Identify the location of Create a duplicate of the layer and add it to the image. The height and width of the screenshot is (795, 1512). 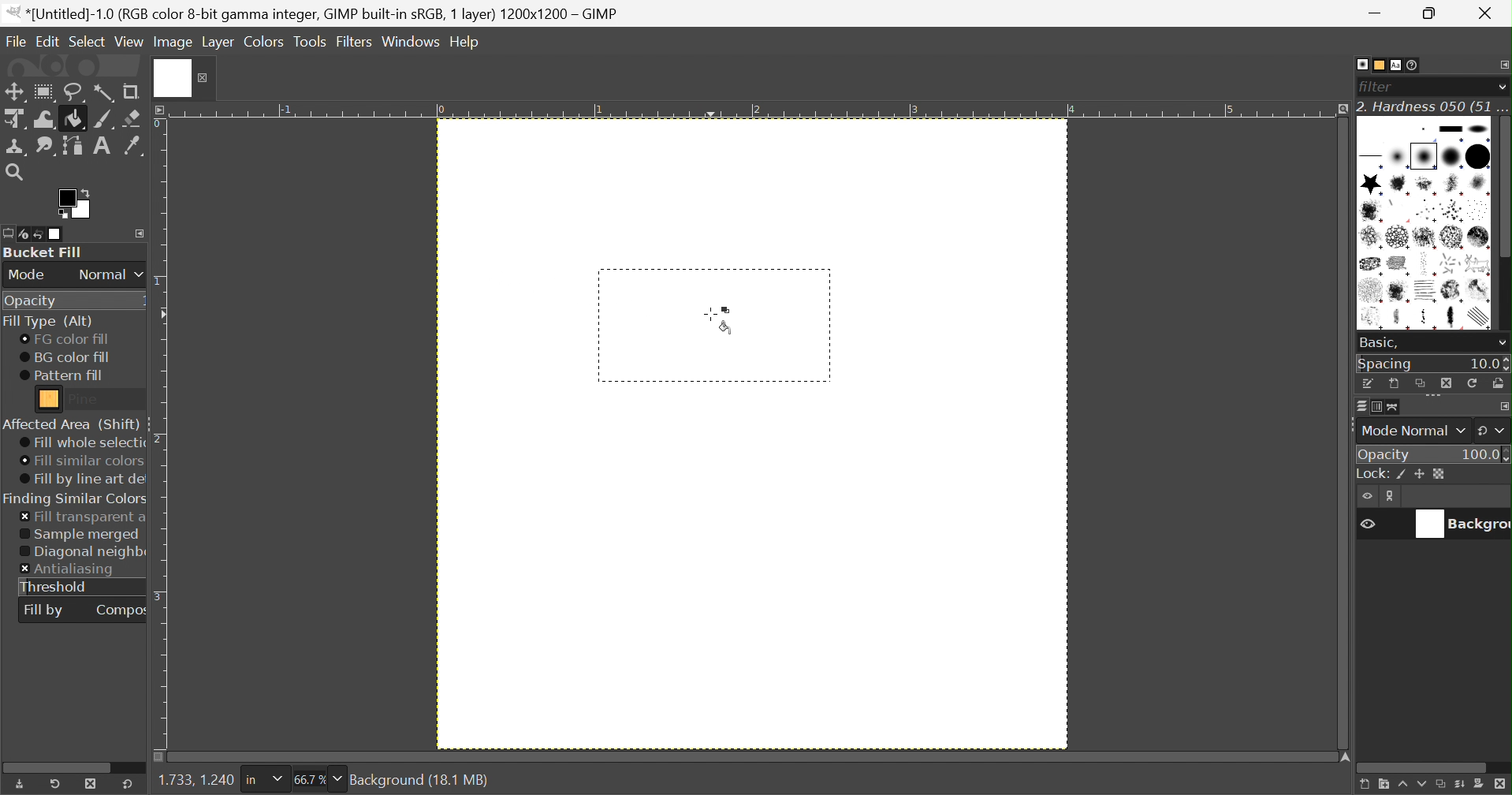
(1441, 786).